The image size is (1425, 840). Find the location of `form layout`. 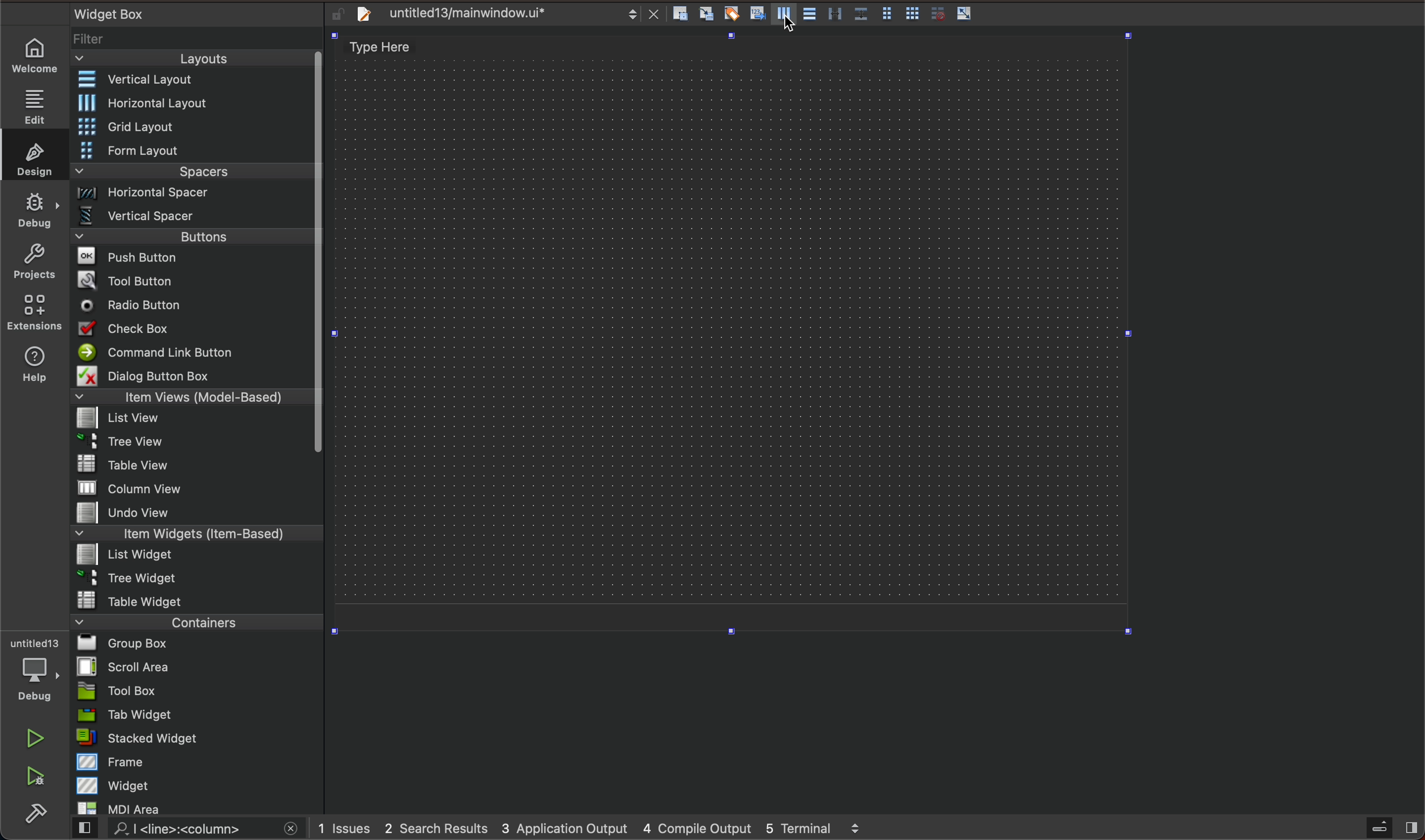

form layout is located at coordinates (888, 11).